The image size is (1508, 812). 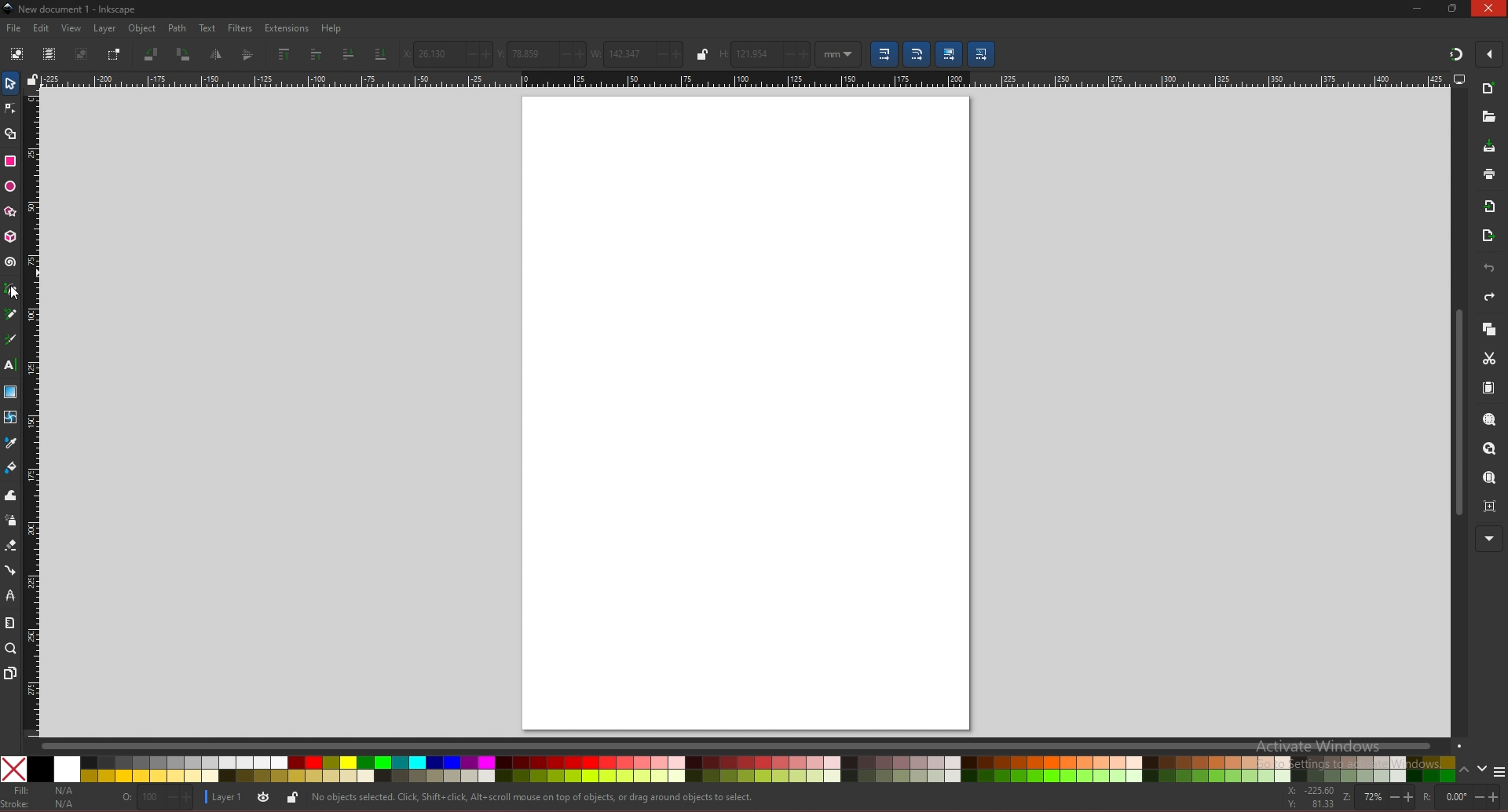 What do you see at coordinates (751, 744) in the screenshot?
I see `scroll bar` at bounding box center [751, 744].